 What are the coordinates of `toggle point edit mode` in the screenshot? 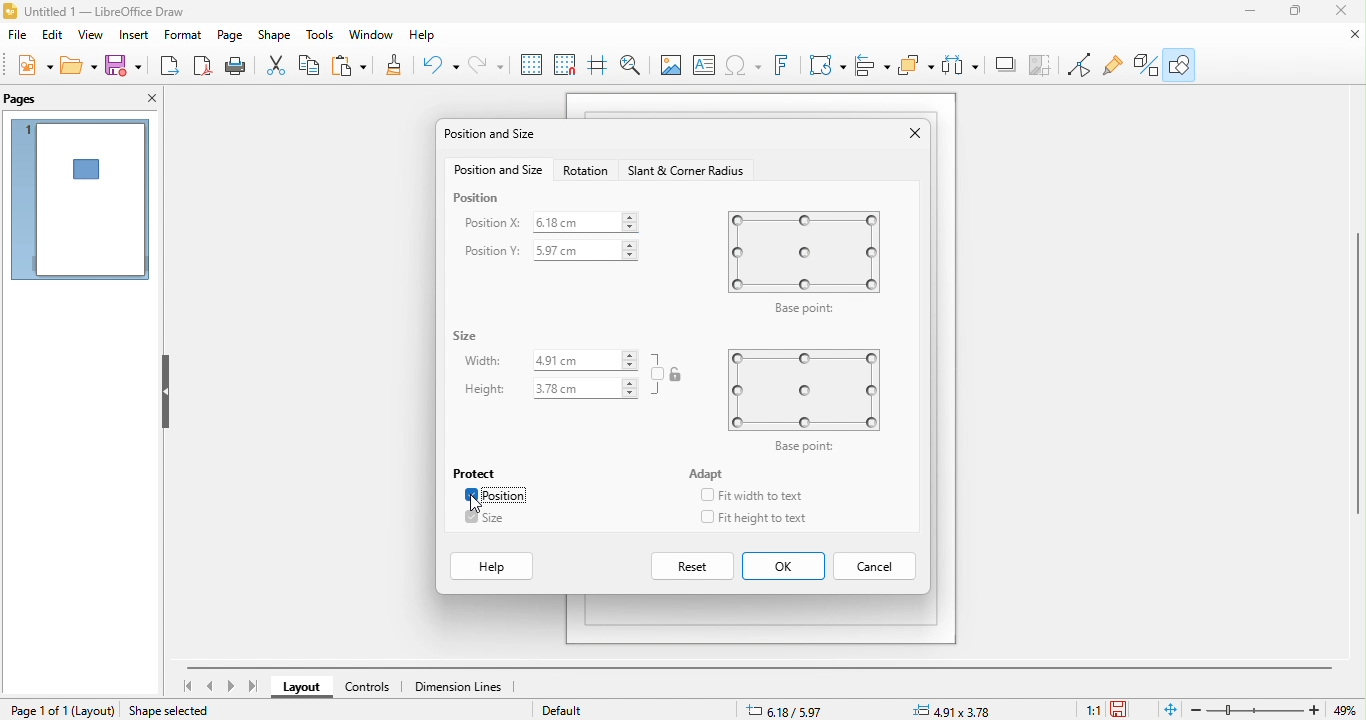 It's located at (1081, 66).